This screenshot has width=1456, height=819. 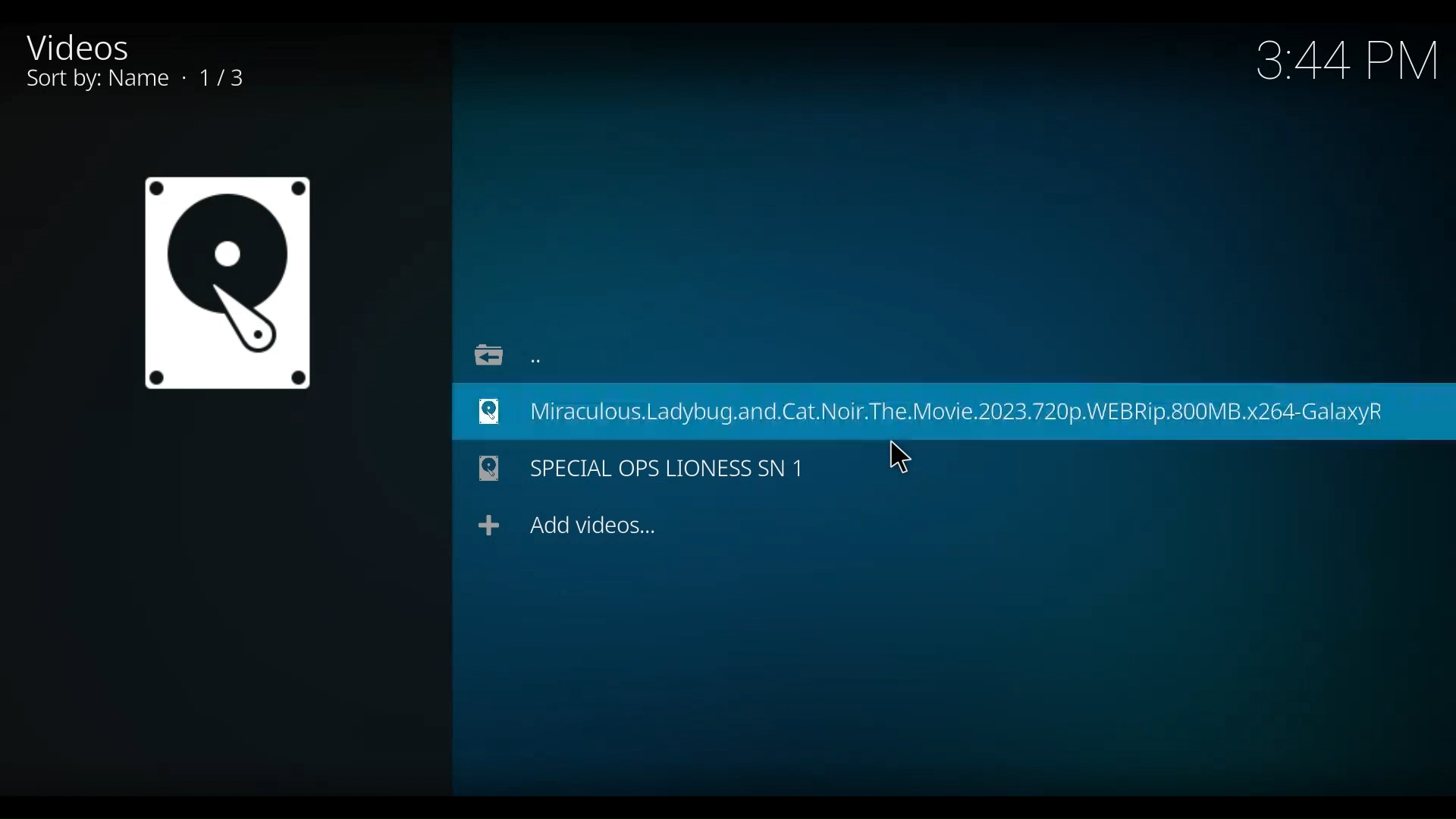 What do you see at coordinates (93, 46) in the screenshot?
I see `Videos` at bounding box center [93, 46].